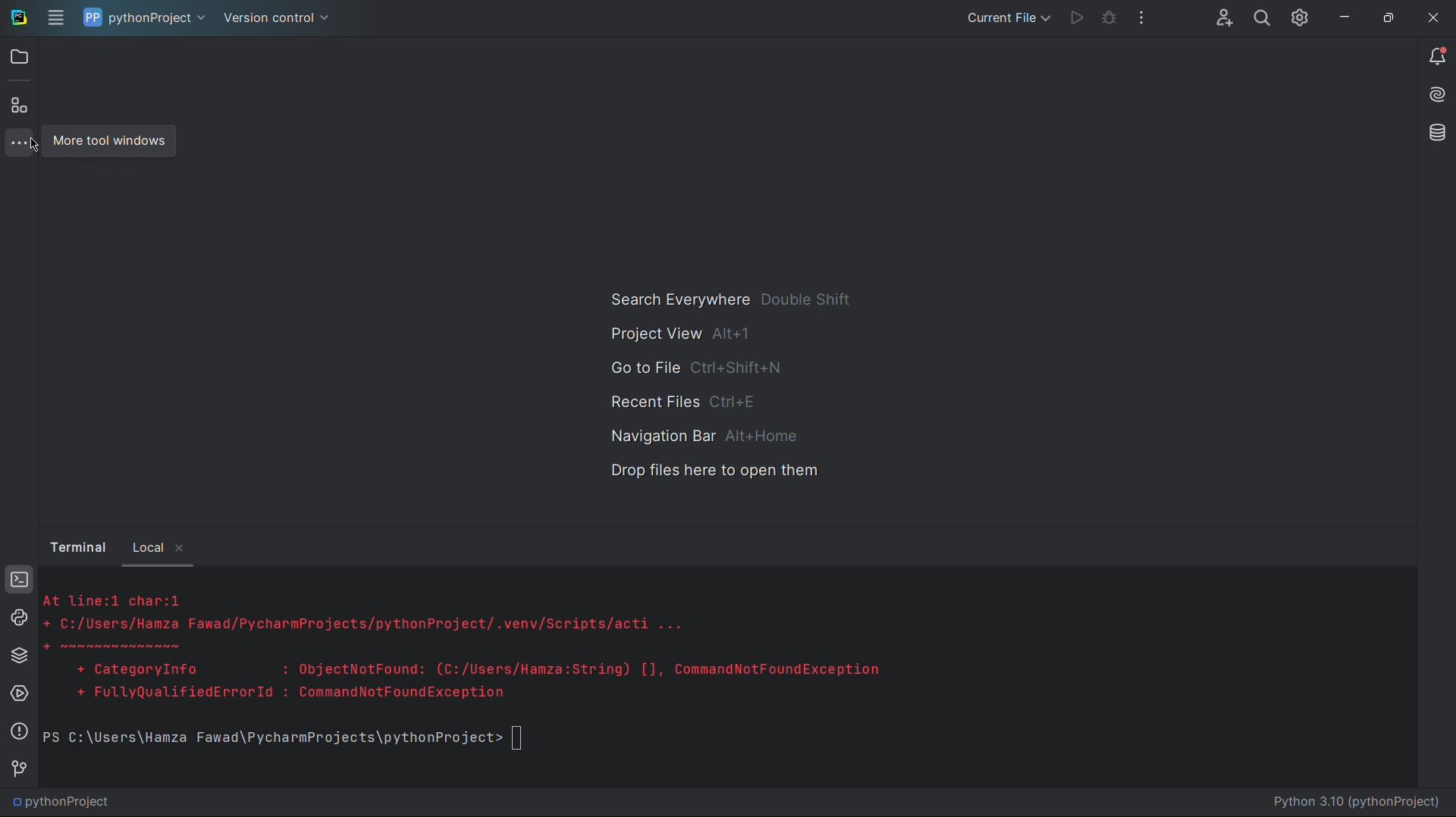  I want to click on Application Menu, so click(56, 16).